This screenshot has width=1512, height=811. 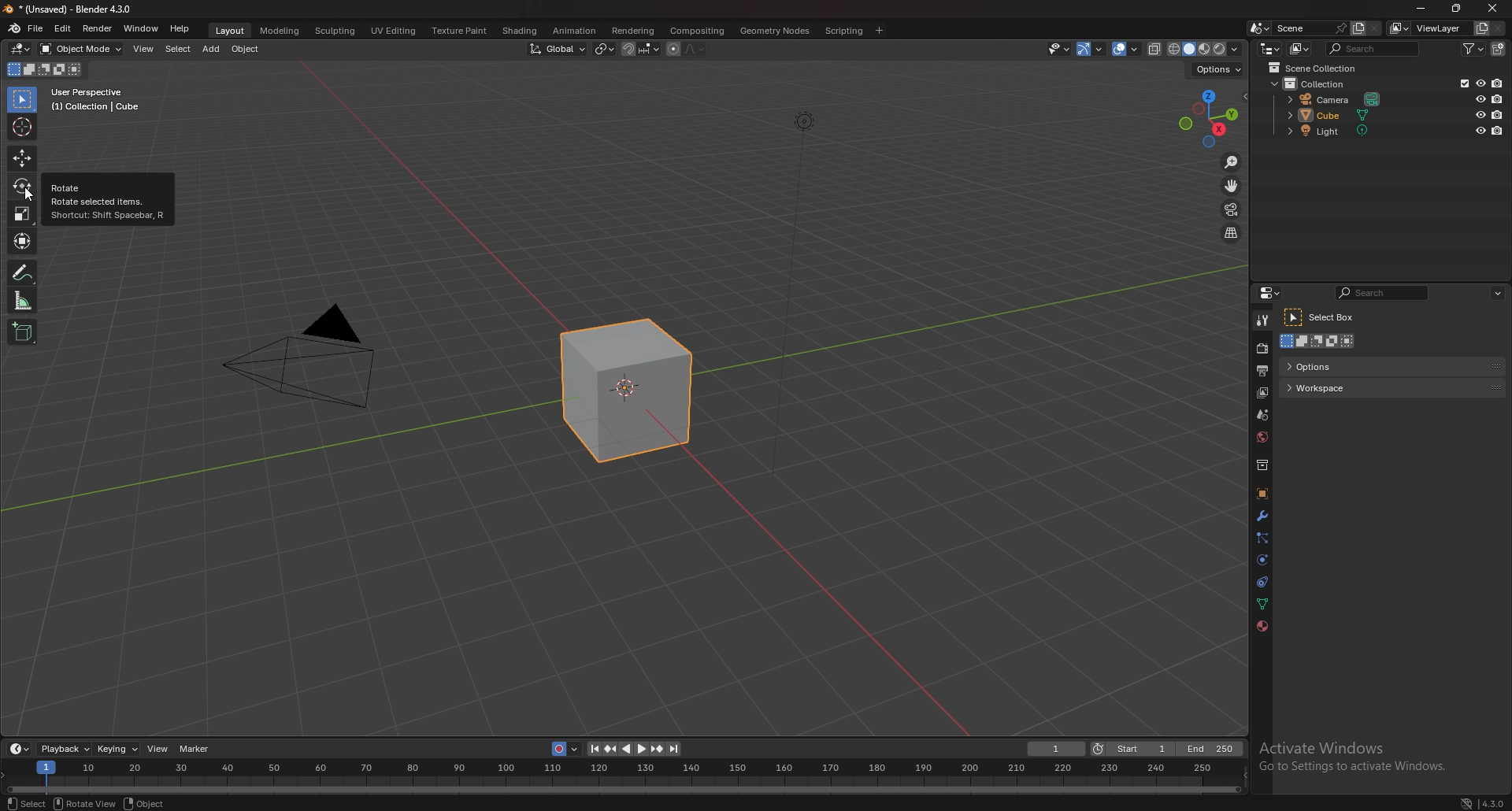 What do you see at coordinates (1392, 387) in the screenshot?
I see `workspace` at bounding box center [1392, 387].